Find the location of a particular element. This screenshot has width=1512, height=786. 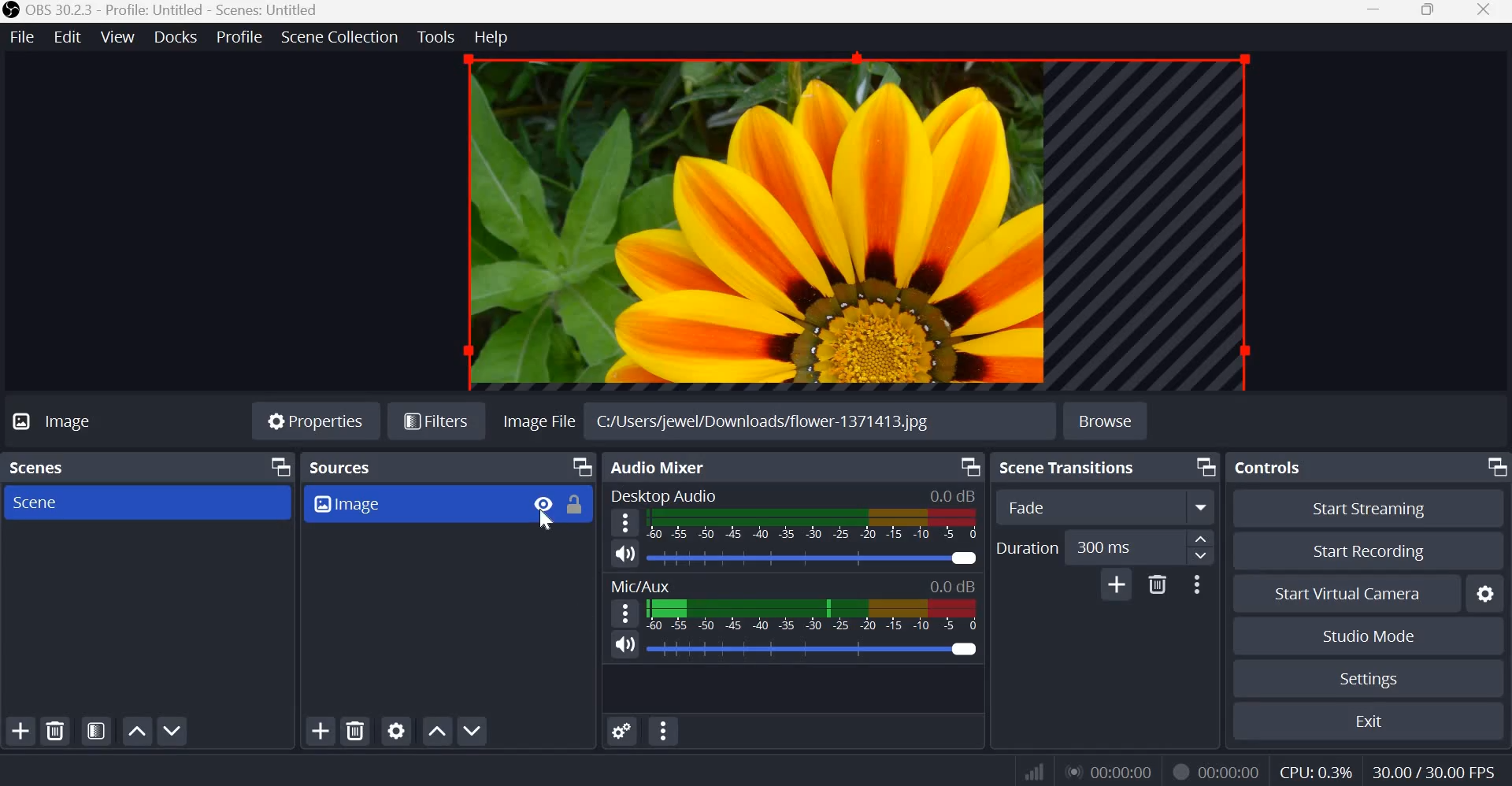

Scene transitions is located at coordinates (1065, 469).